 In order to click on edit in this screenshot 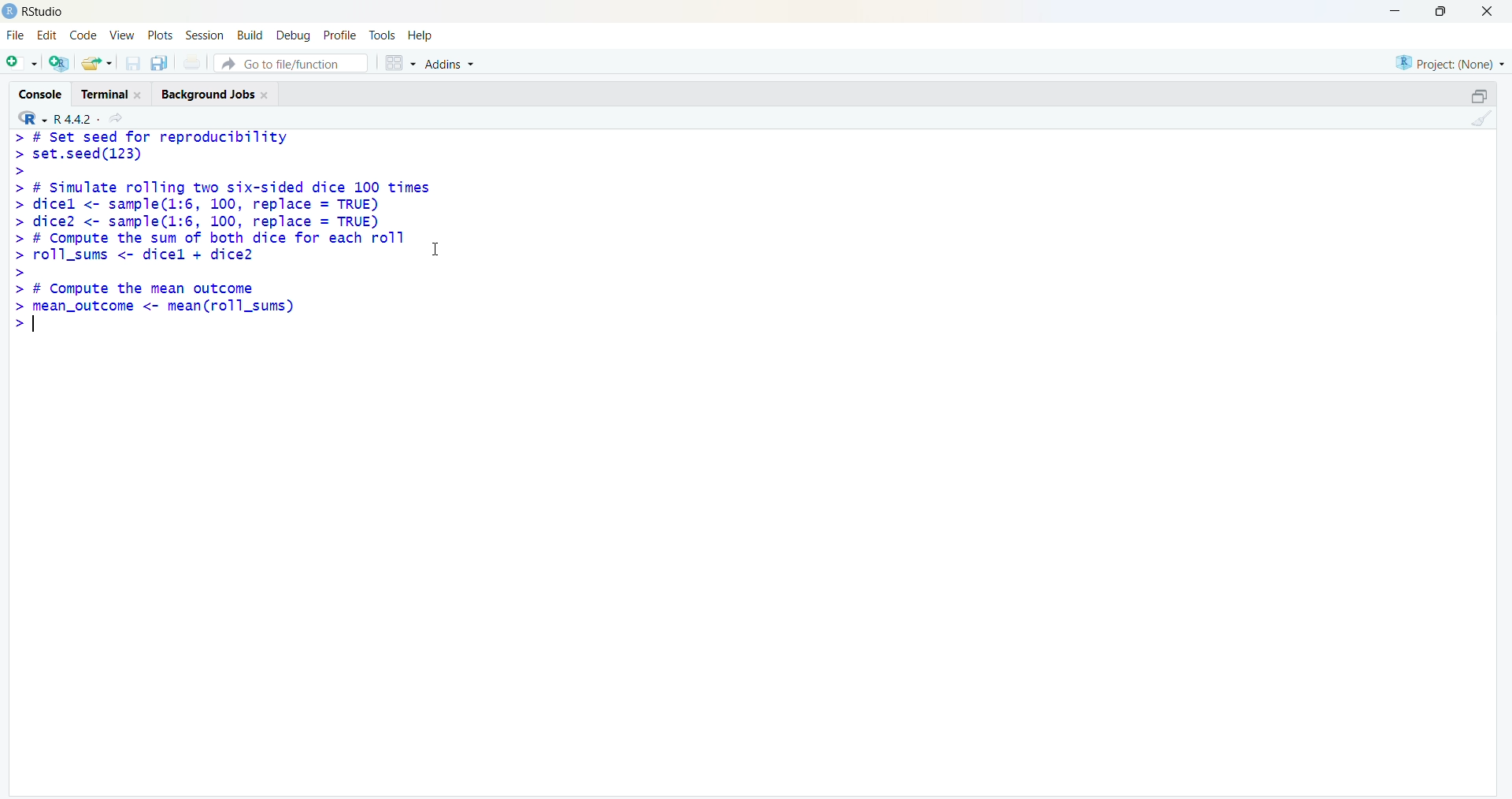, I will do `click(47, 35)`.